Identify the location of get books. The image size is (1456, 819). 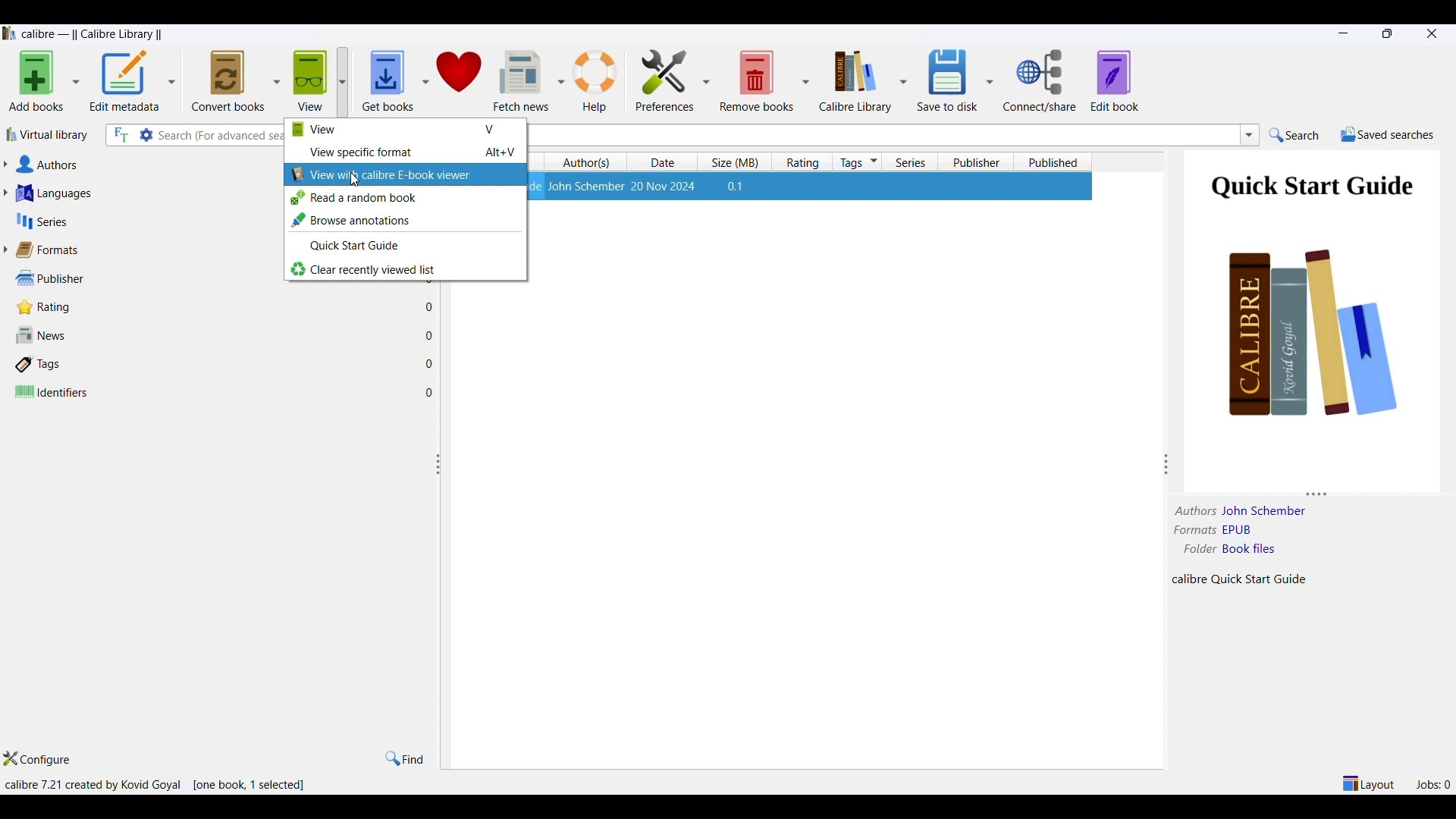
(388, 78).